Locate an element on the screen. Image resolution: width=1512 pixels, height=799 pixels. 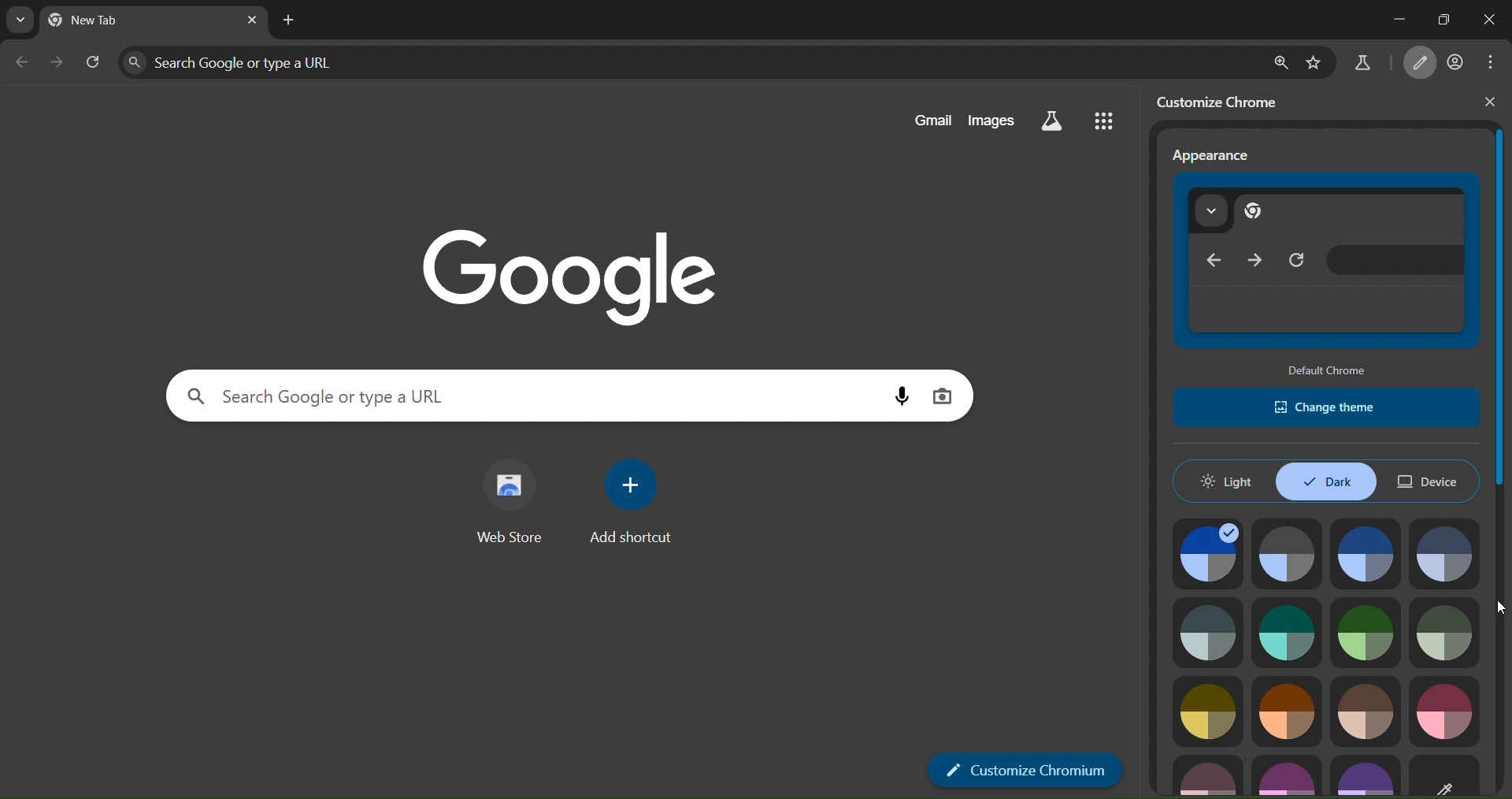
appearance preview is located at coordinates (1323, 263).